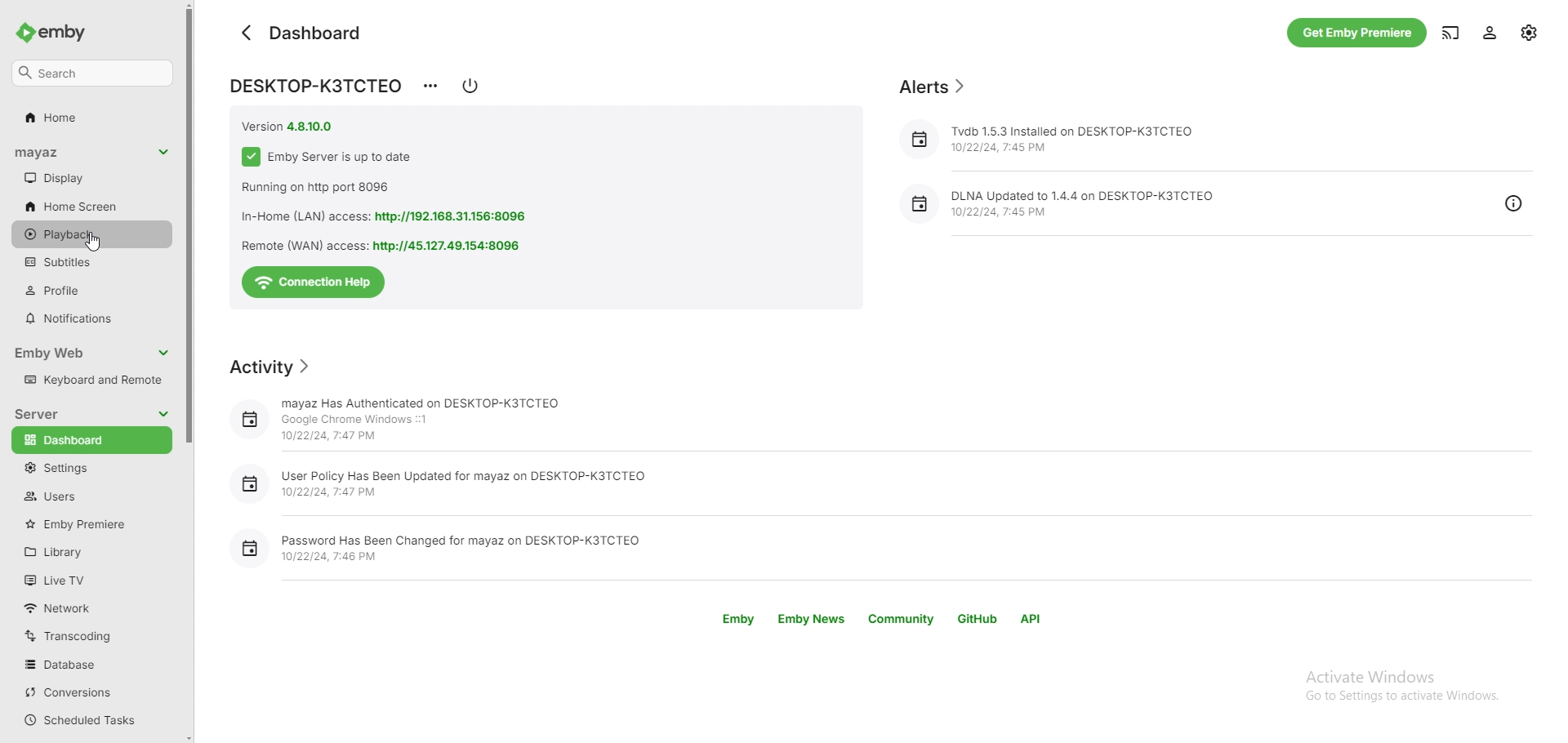 The width and height of the screenshot is (1568, 743). Describe the element at coordinates (85, 580) in the screenshot. I see `live tv` at that location.